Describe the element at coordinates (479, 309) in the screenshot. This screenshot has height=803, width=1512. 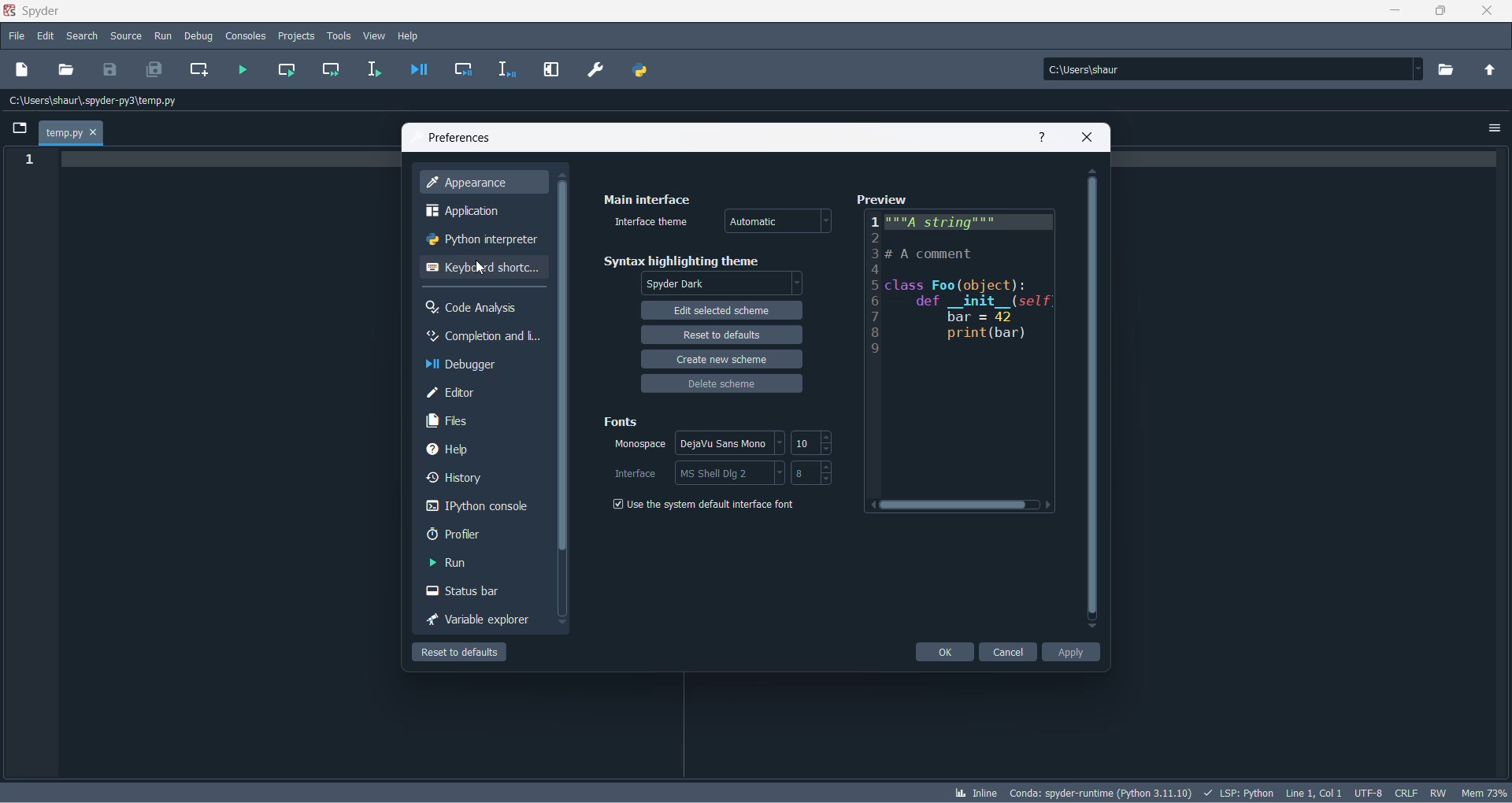
I see `code analysis` at that location.